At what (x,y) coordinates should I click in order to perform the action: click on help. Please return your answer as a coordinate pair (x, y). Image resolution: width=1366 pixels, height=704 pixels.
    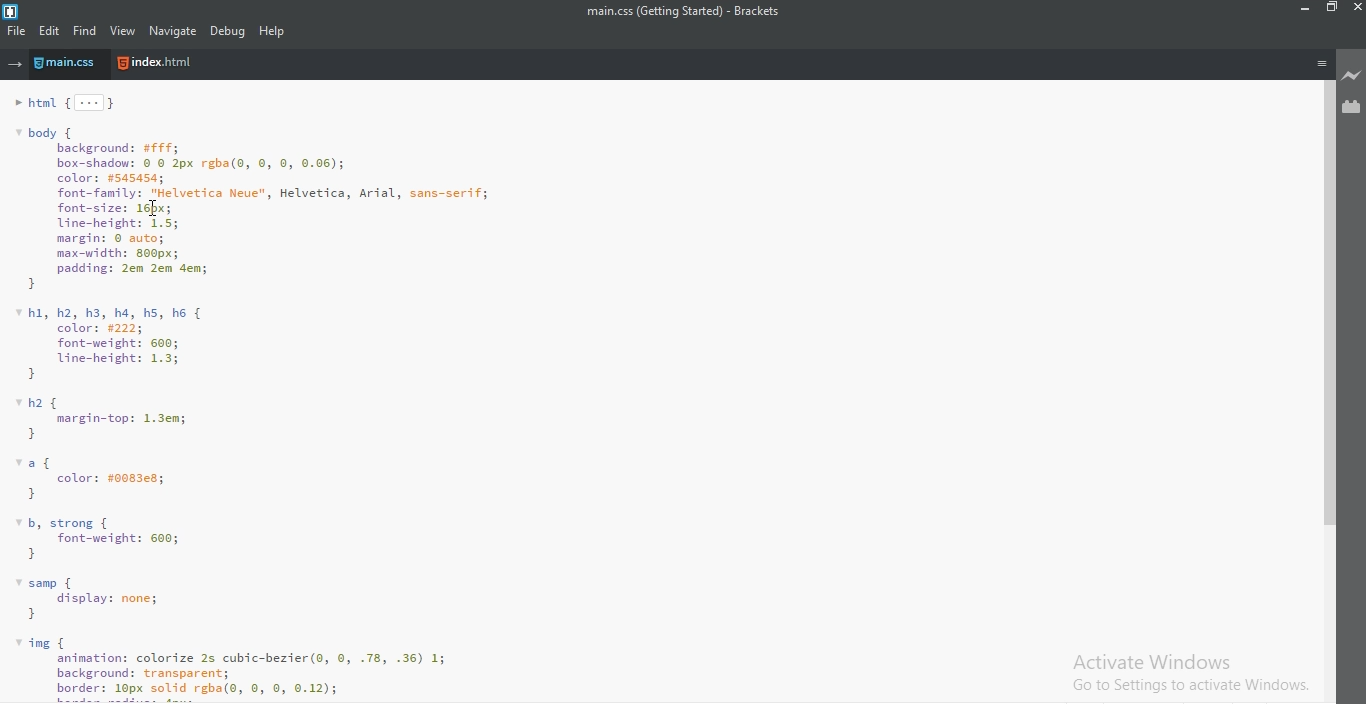
    Looking at the image, I should click on (274, 31).